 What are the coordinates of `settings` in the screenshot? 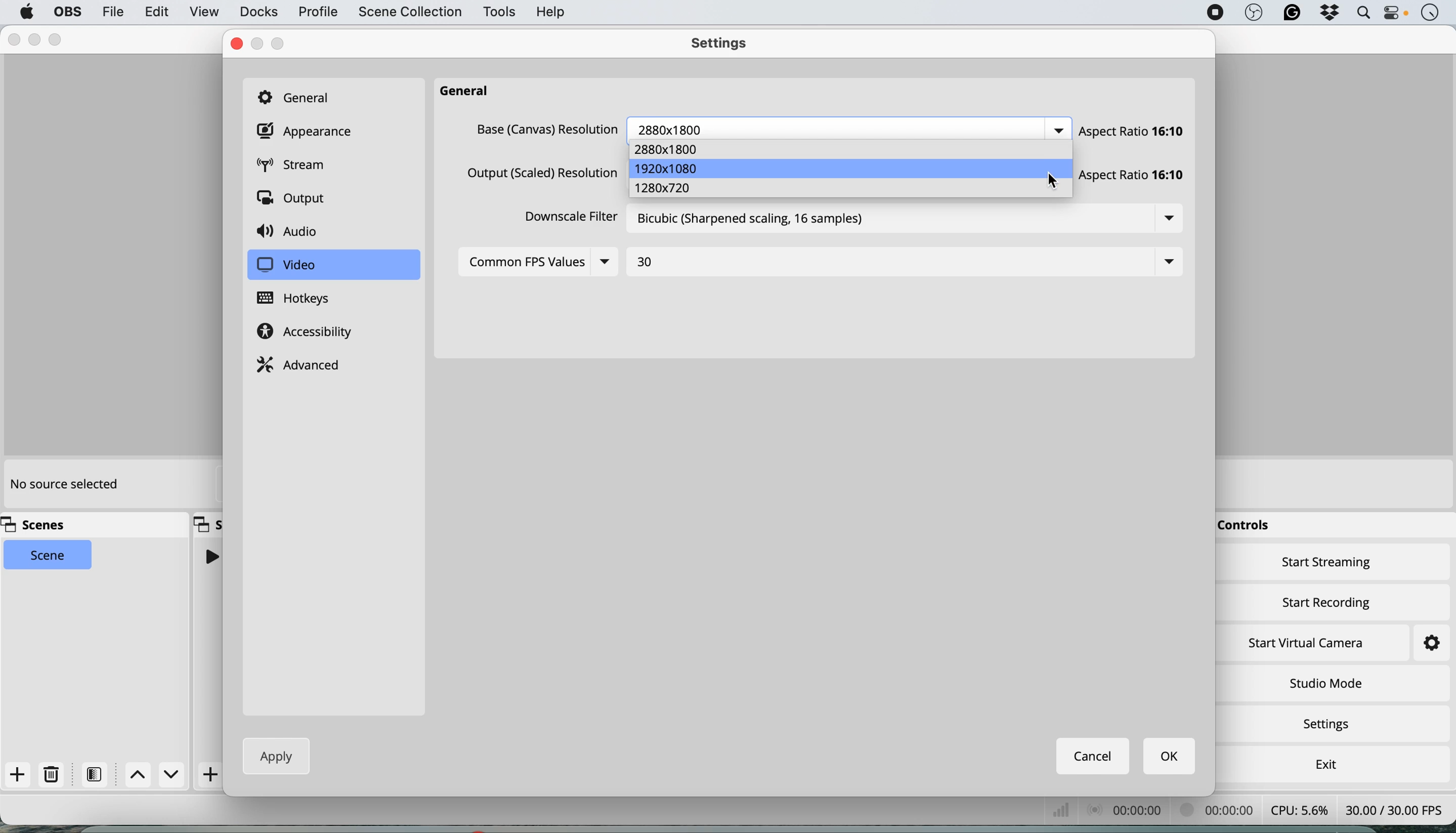 It's located at (1331, 725).